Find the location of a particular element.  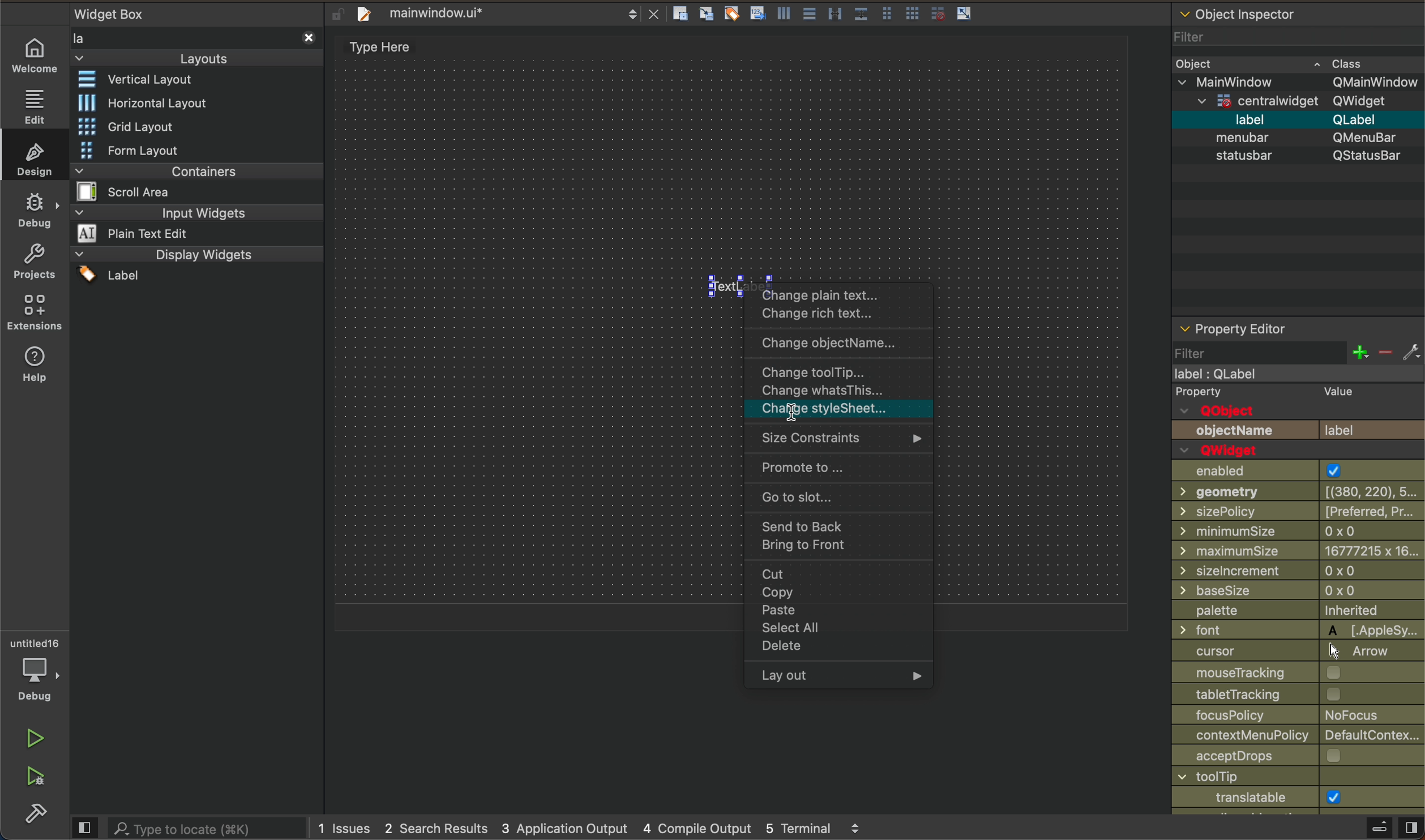

windowicon is located at coordinates (1236, 798).